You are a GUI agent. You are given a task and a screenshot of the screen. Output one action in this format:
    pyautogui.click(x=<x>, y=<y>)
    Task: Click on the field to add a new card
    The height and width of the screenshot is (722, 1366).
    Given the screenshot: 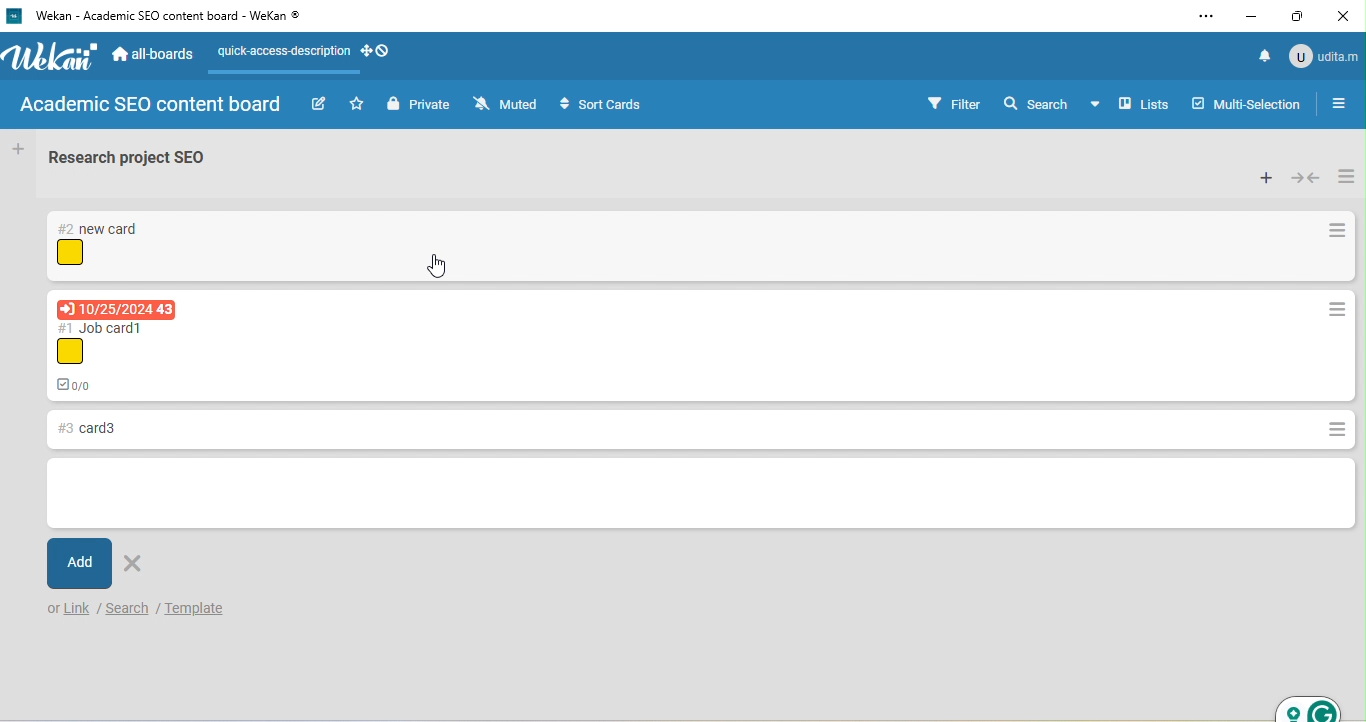 What is the action you would take?
    pyautogui.click(x=700, y=495)
    